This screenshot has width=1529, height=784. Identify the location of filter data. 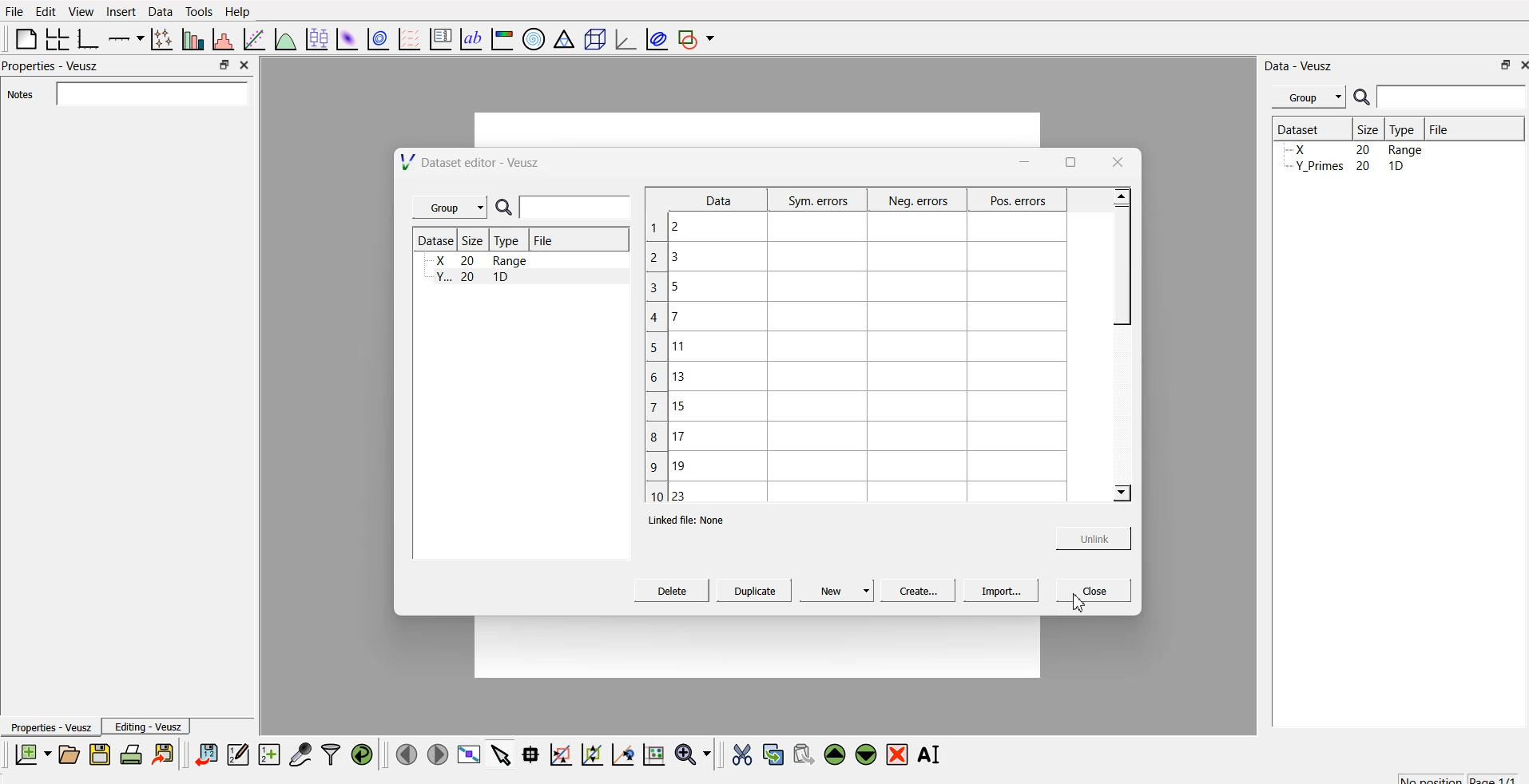
(331, 752).